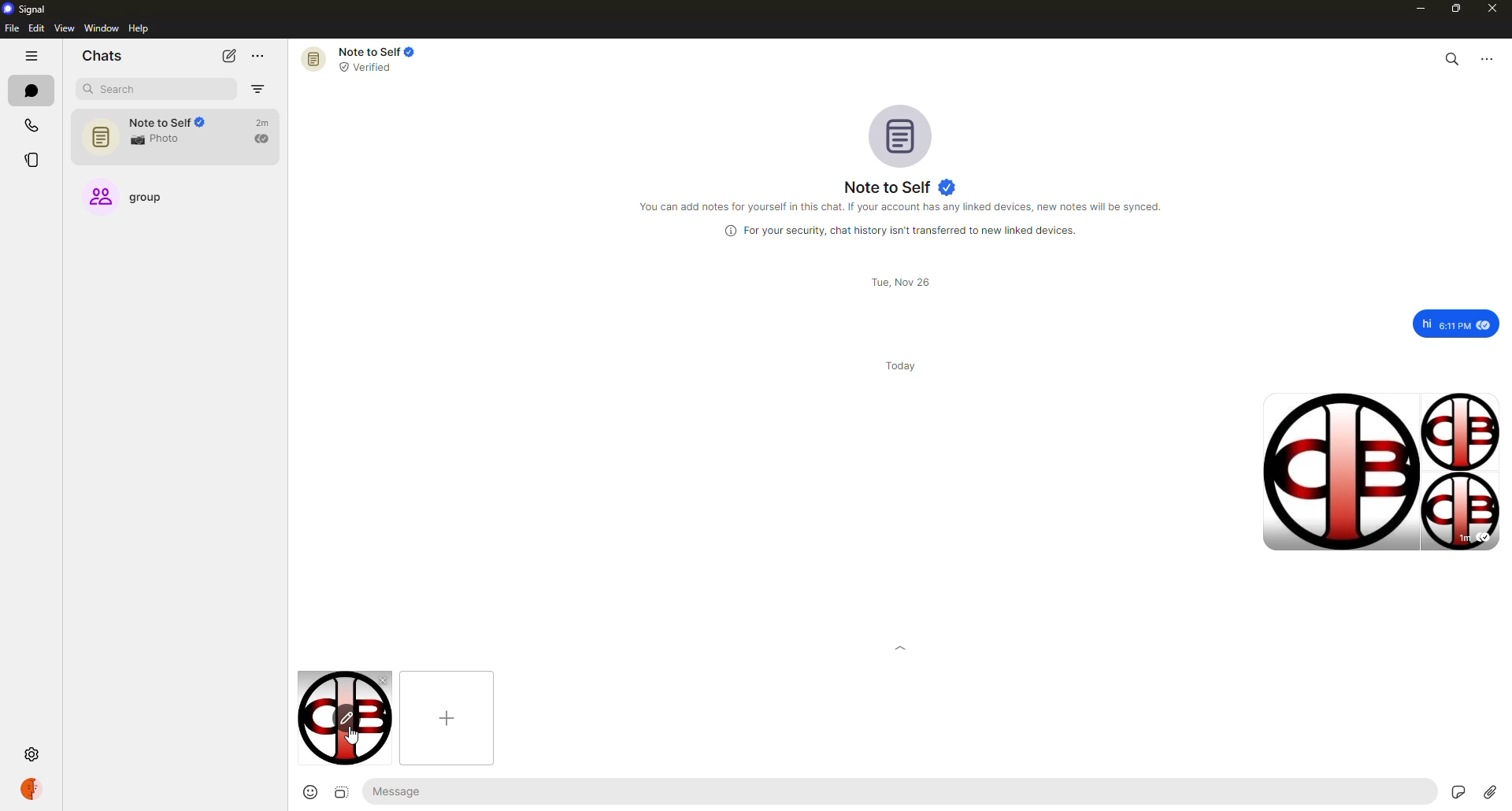  What do you see at coordinates (10, 29) in the screenshot?
I see `file` at bounding box center [10, 29].